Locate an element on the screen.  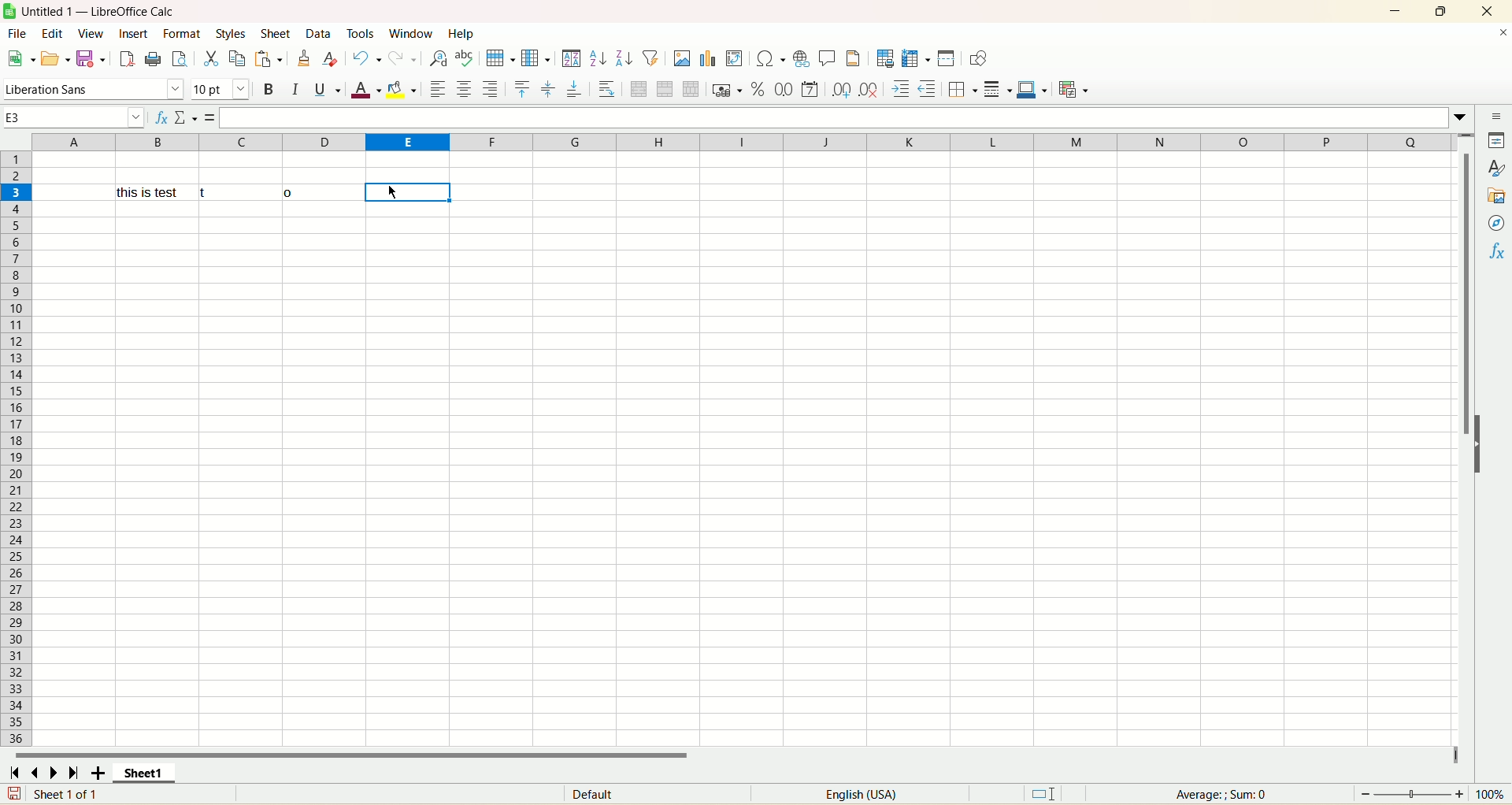
border is located at coordinates (962, 89).